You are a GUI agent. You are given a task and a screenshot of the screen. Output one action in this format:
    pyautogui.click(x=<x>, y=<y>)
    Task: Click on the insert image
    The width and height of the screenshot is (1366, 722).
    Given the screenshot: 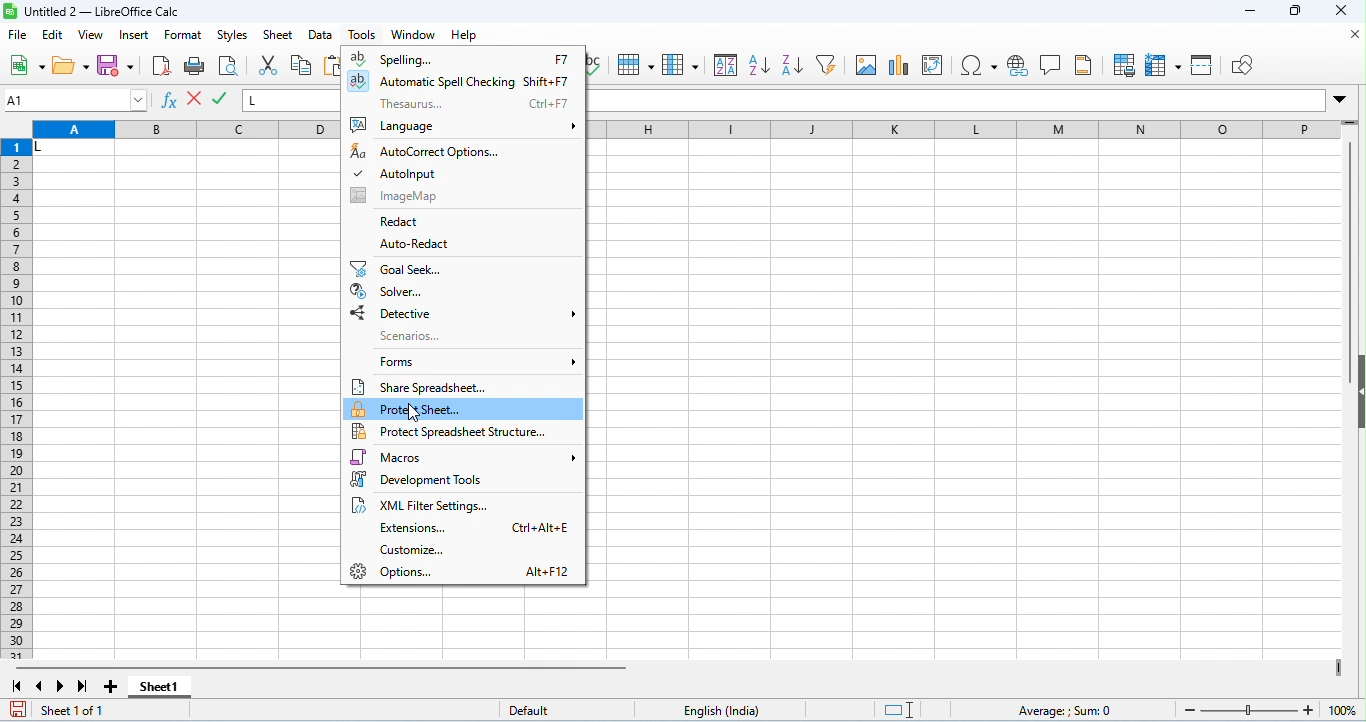 What is the action you would take?
    pyautogui.click(x=866, y=65)
    